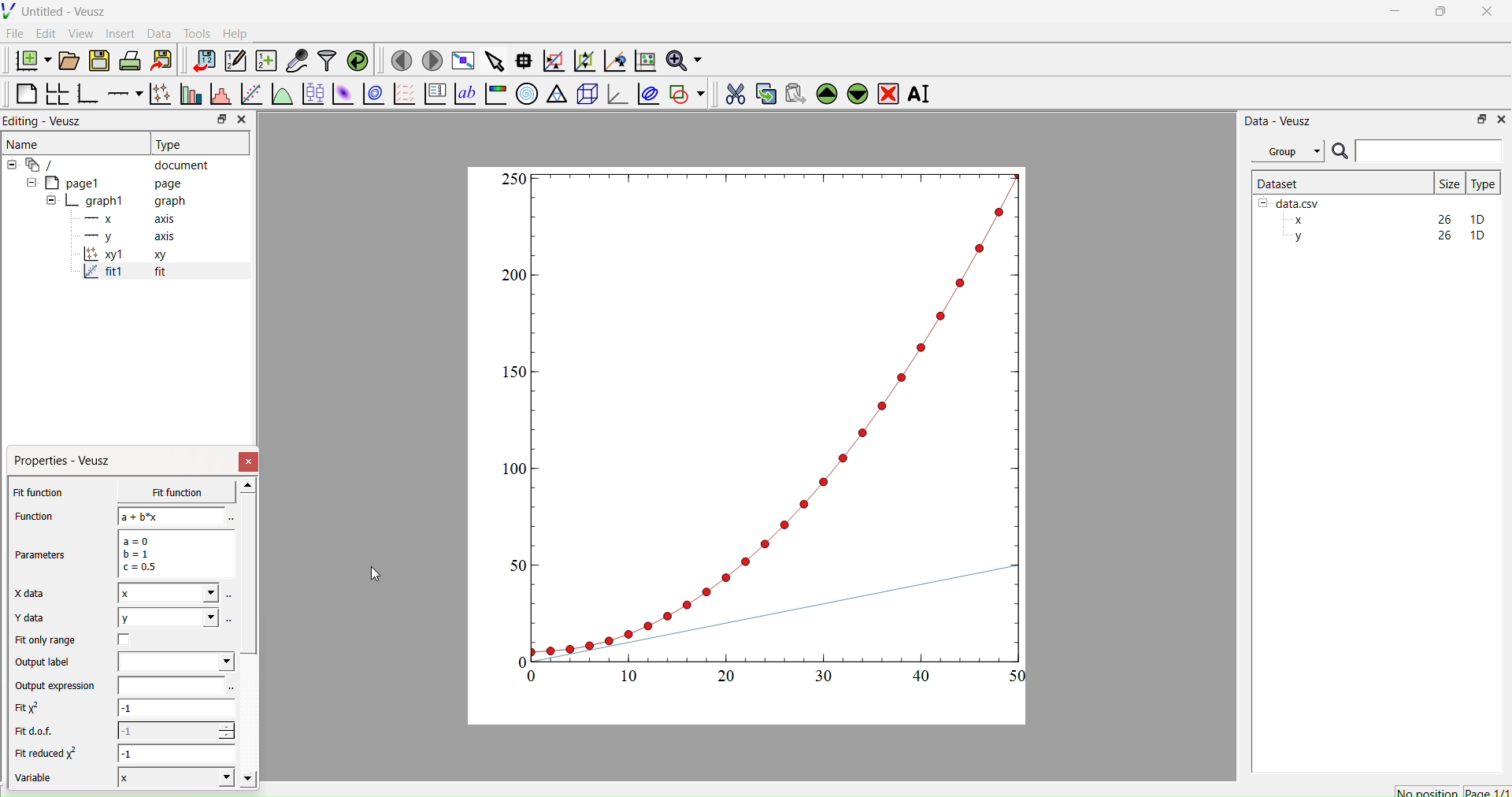 This screenshot has height=797, width=1512. What do you see at coordinates (128, 639) in the screenshot?
I see `Checkbox` at bounding box center [128, 639].